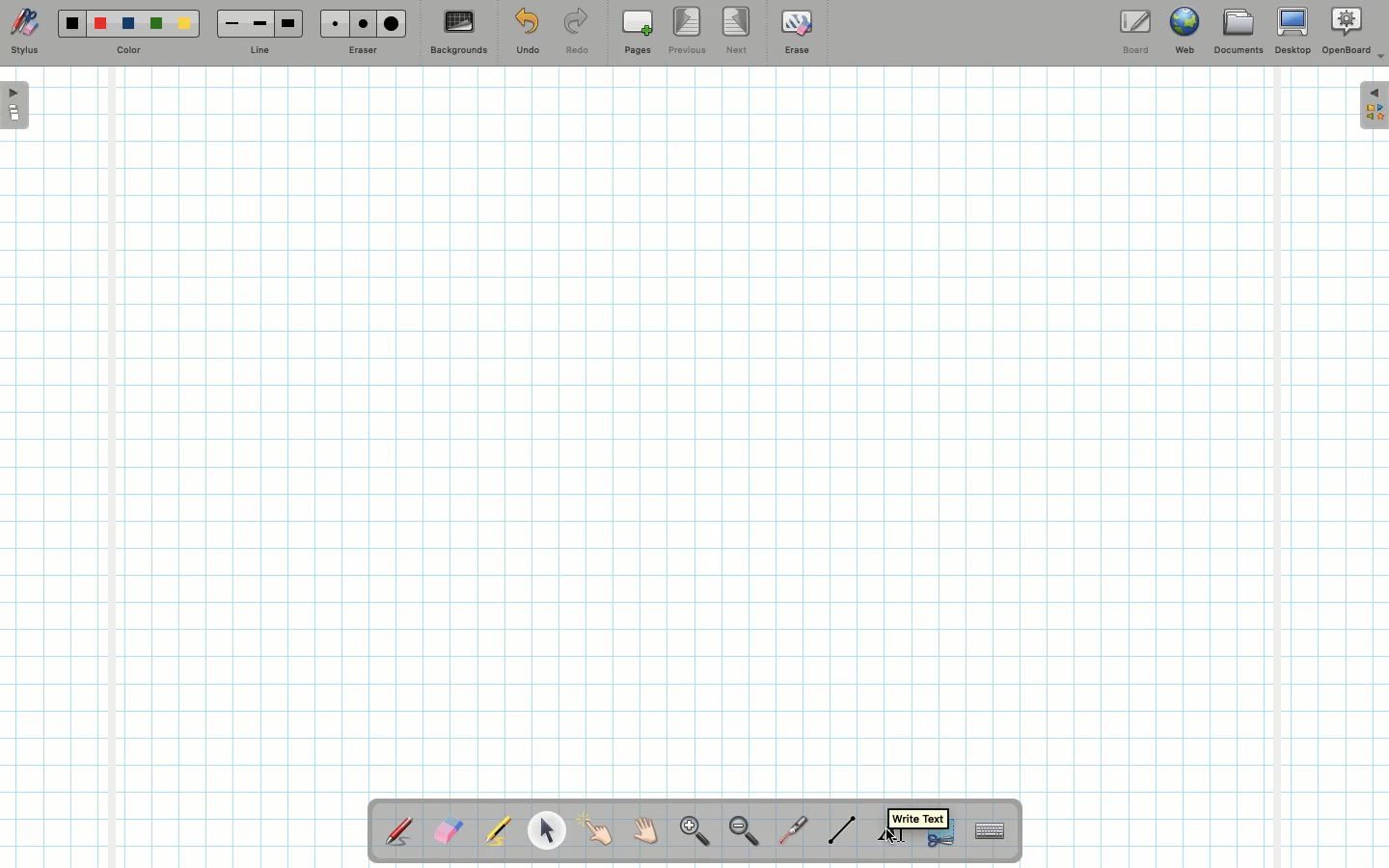 Image resolution: width=1389 pixels, height=868 pixels. I want to click on Text input, so click(991, 826).